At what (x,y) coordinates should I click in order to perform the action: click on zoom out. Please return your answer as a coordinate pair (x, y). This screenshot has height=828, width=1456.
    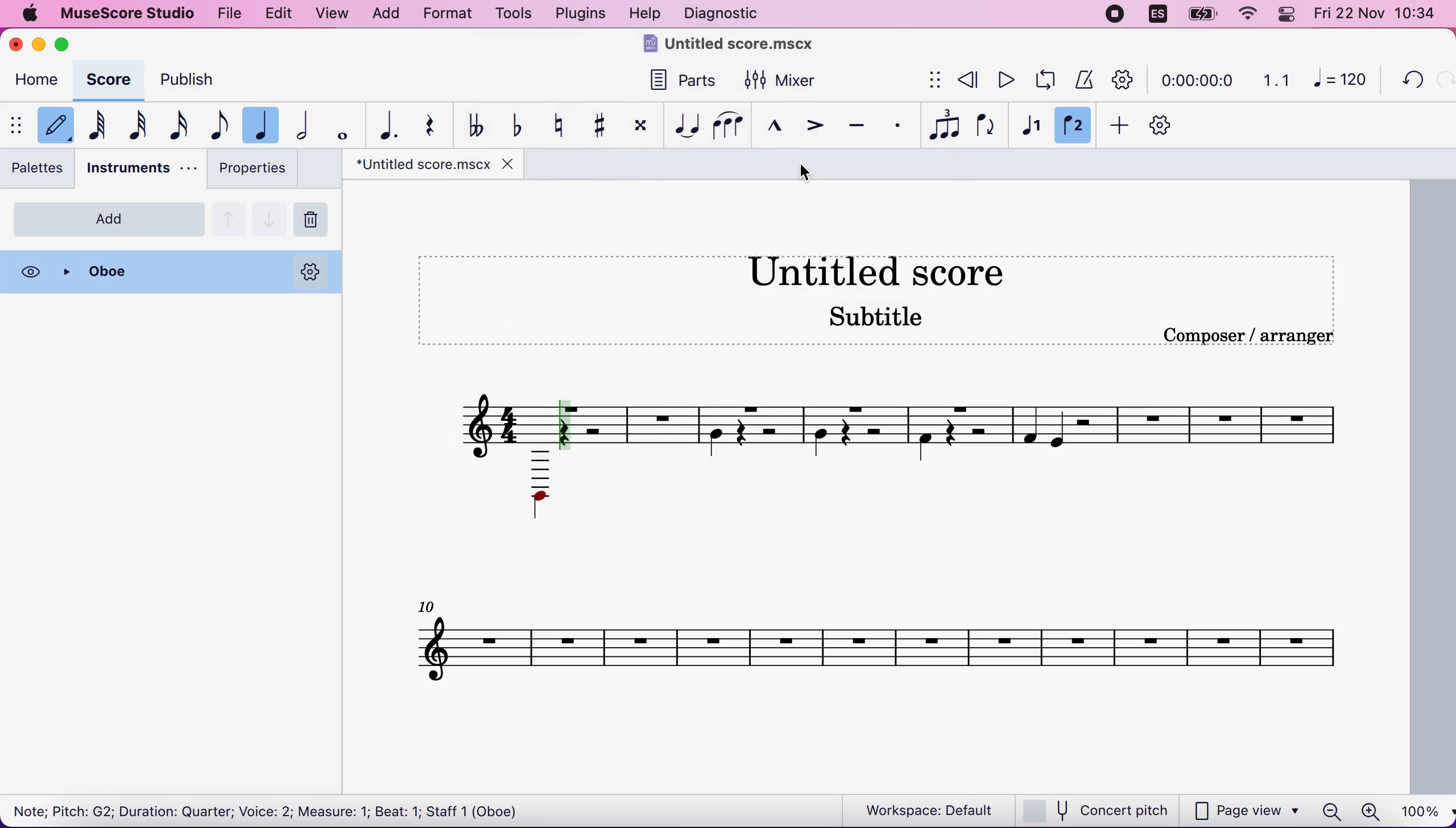
    Looking at the image, I should click on (1331, 808).